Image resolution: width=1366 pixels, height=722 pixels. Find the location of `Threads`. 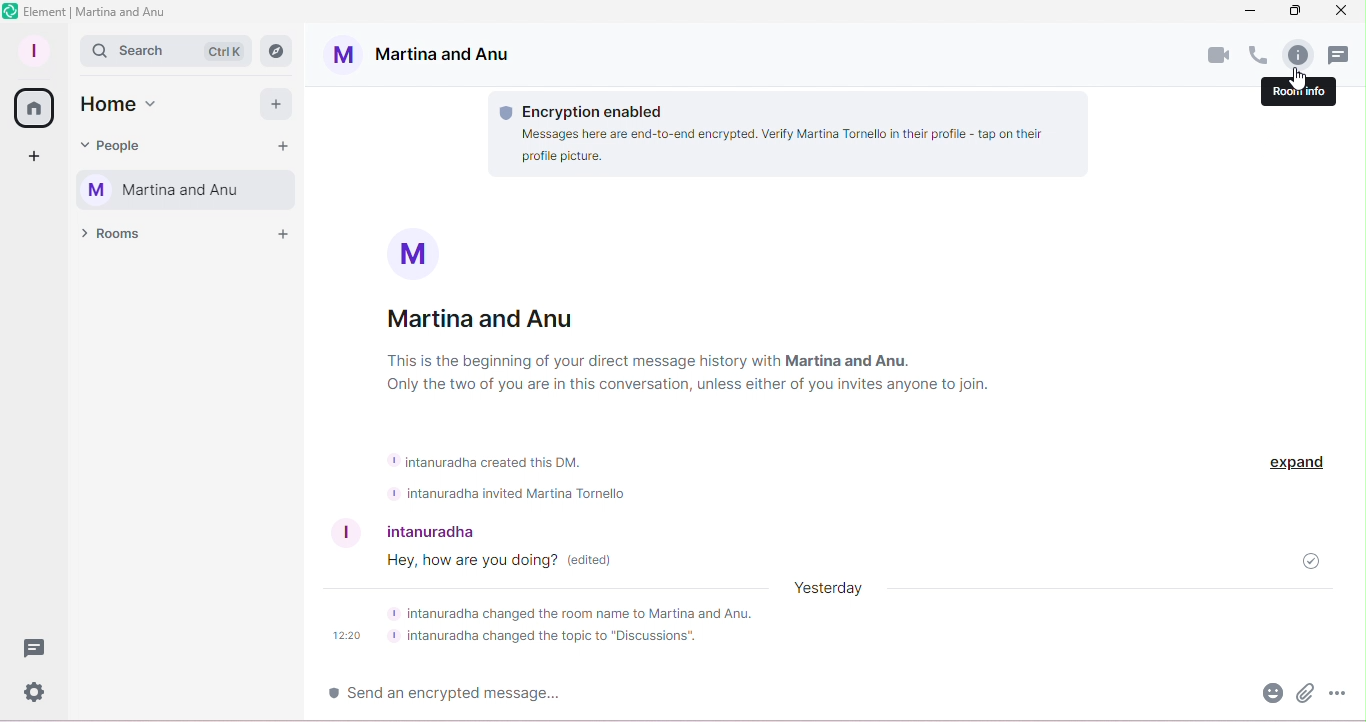

Threads is located at coordinates (1339, 55).